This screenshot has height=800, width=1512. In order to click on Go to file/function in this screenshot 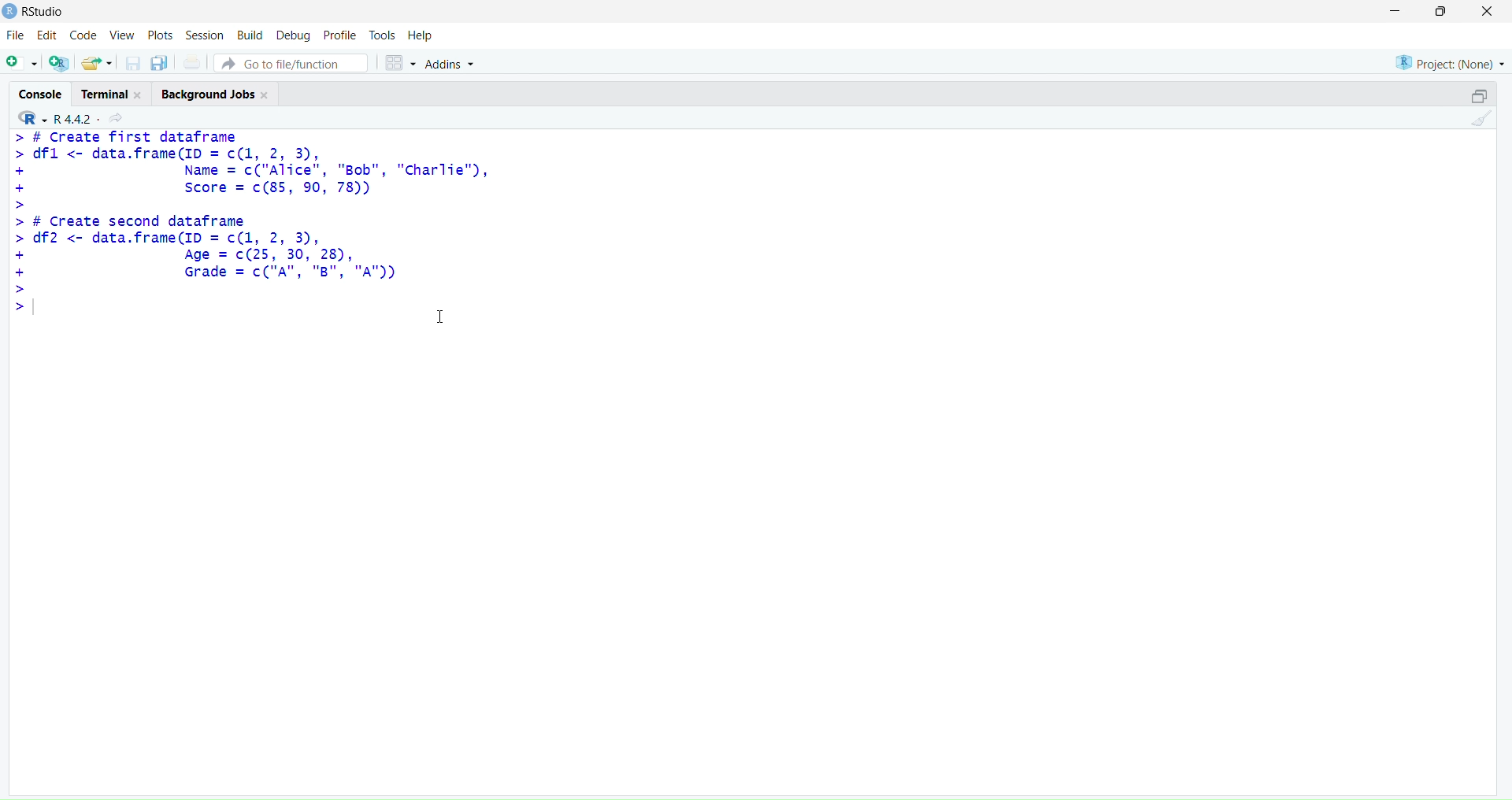, I will do `click(291, 63)`.